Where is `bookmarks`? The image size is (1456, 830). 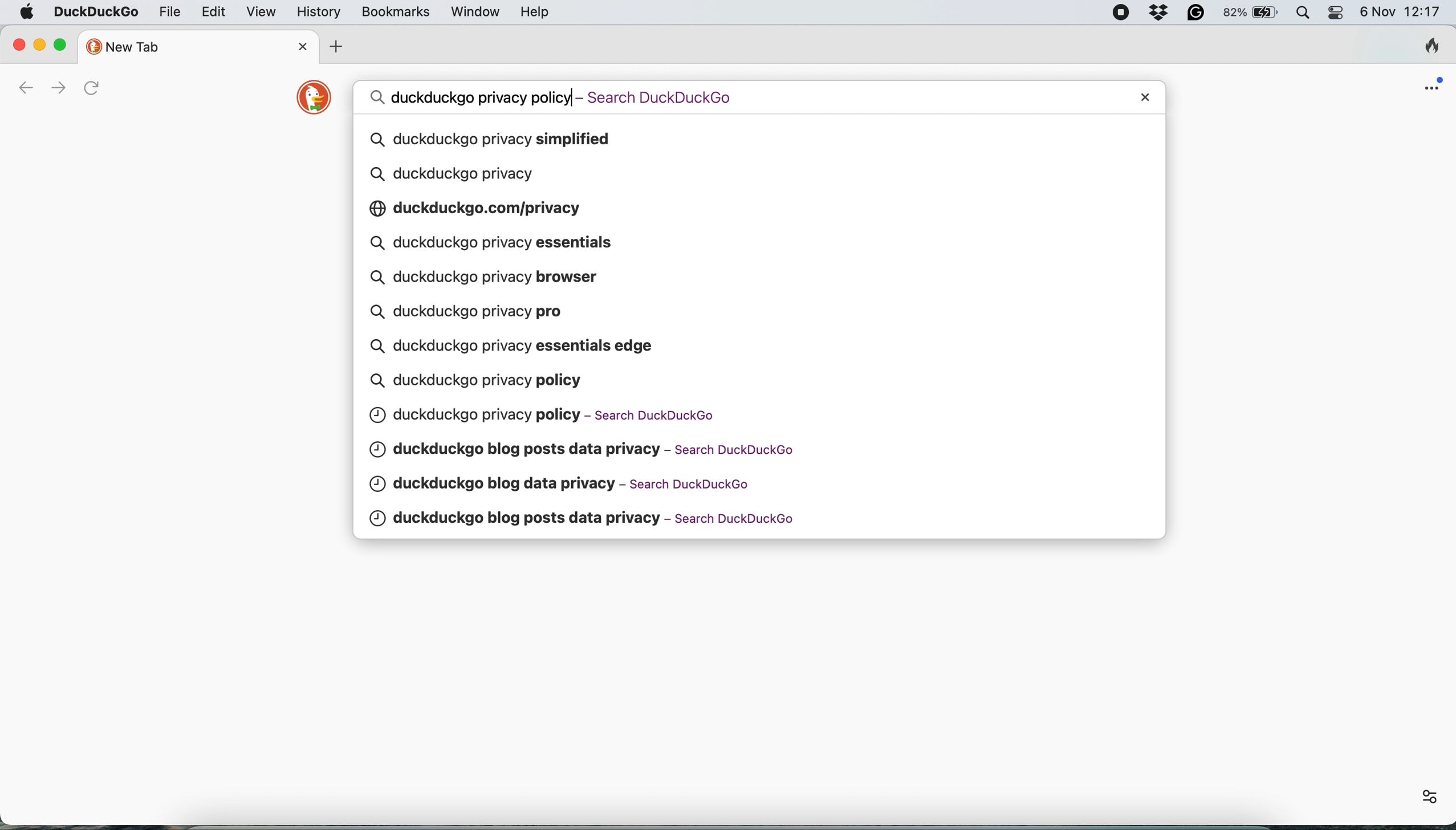
bookmarks is located at coordinates (394, 11).